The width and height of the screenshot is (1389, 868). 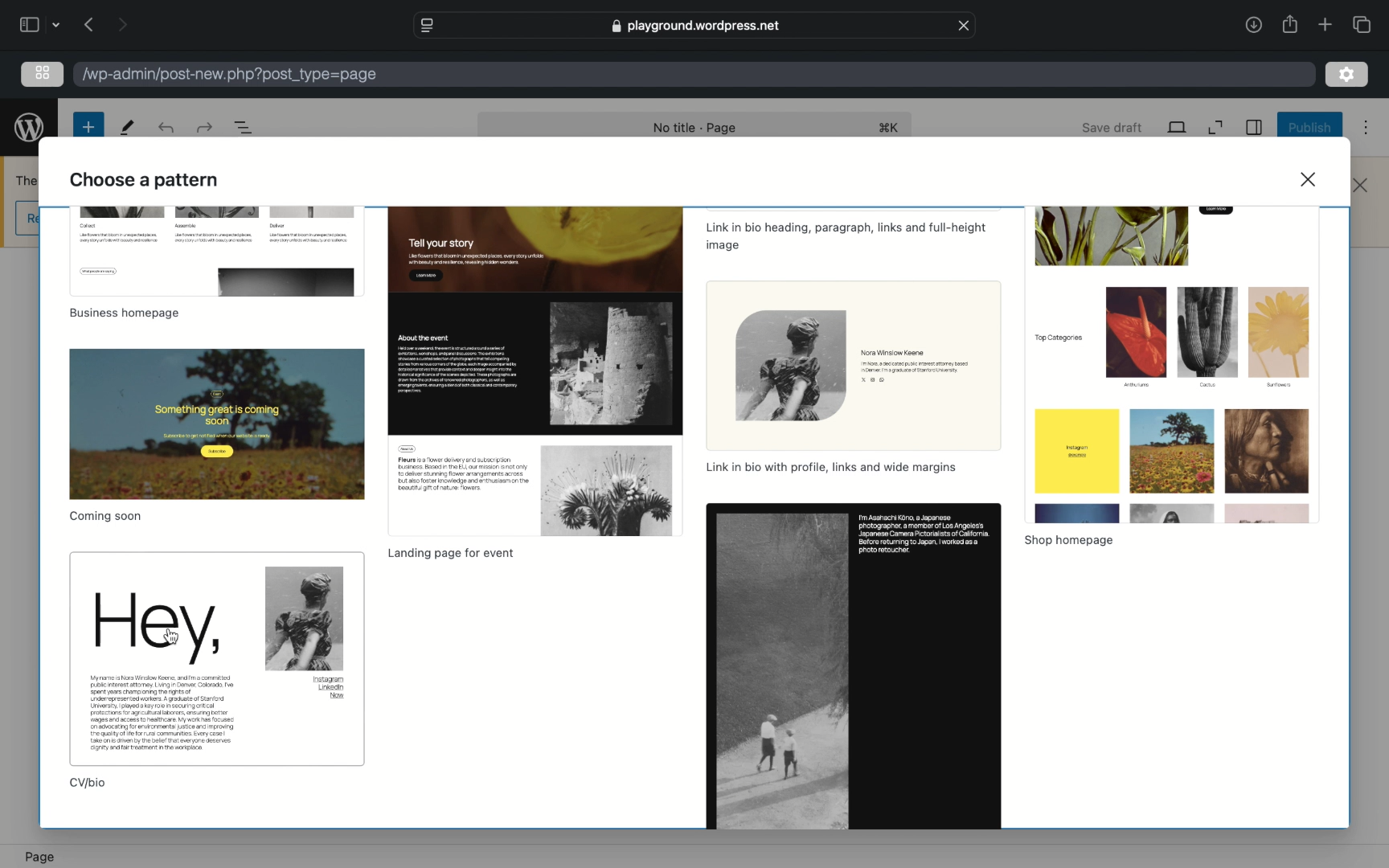 I want to click on show tab overview, so click(x=1364, y=24).